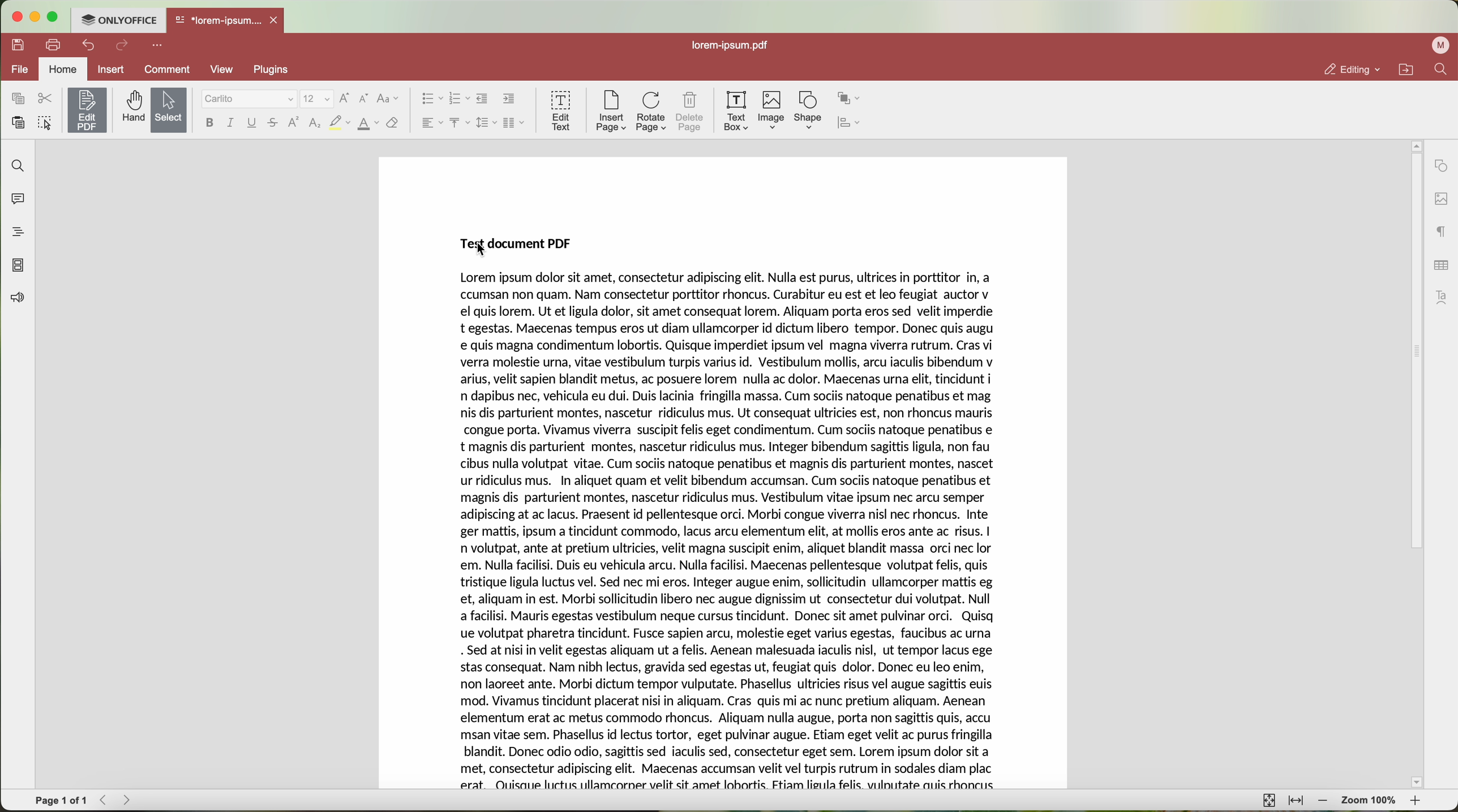 This screenshot has height=812, width=1458. What do you see at coordinates (164, 70) in the screenshot?
I see `comment` at bounding box center [164, 70].